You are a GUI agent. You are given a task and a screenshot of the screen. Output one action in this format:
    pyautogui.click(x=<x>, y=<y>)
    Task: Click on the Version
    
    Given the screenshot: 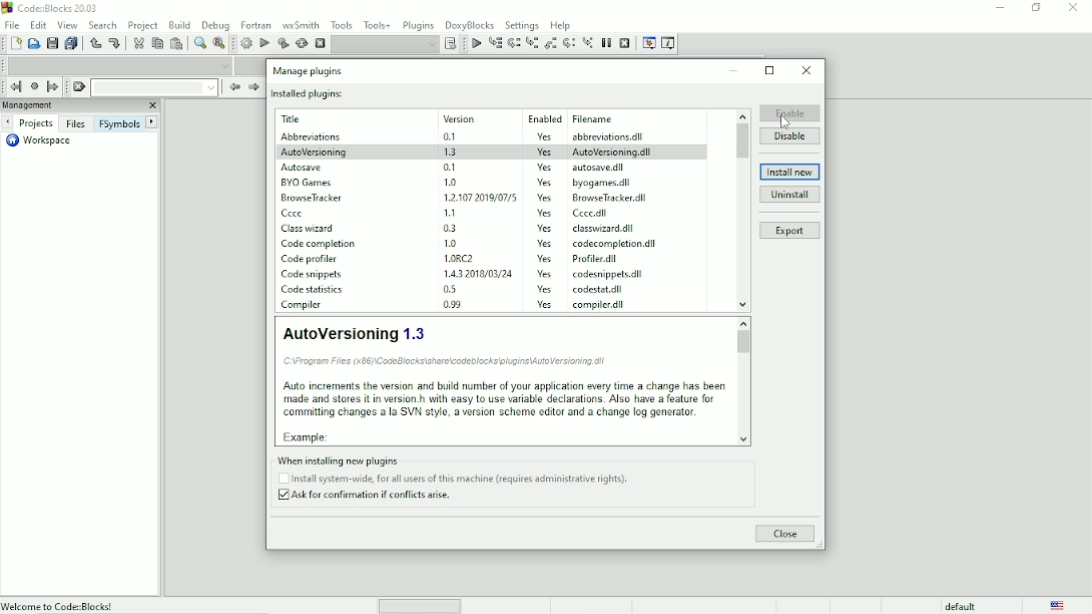 What is the action you would take?
    pyautogui.click(x=478, y=117)
    